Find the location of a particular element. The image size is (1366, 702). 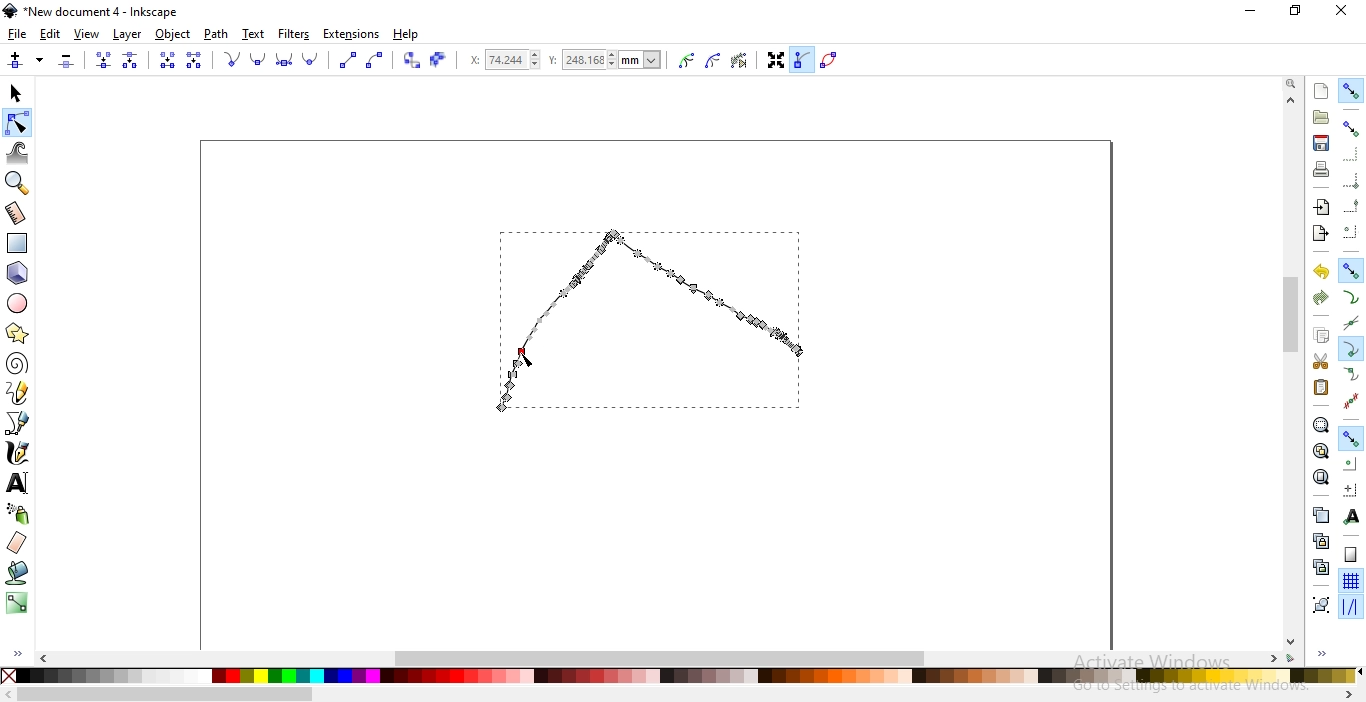

cut is located at coordinates (1320, 362).